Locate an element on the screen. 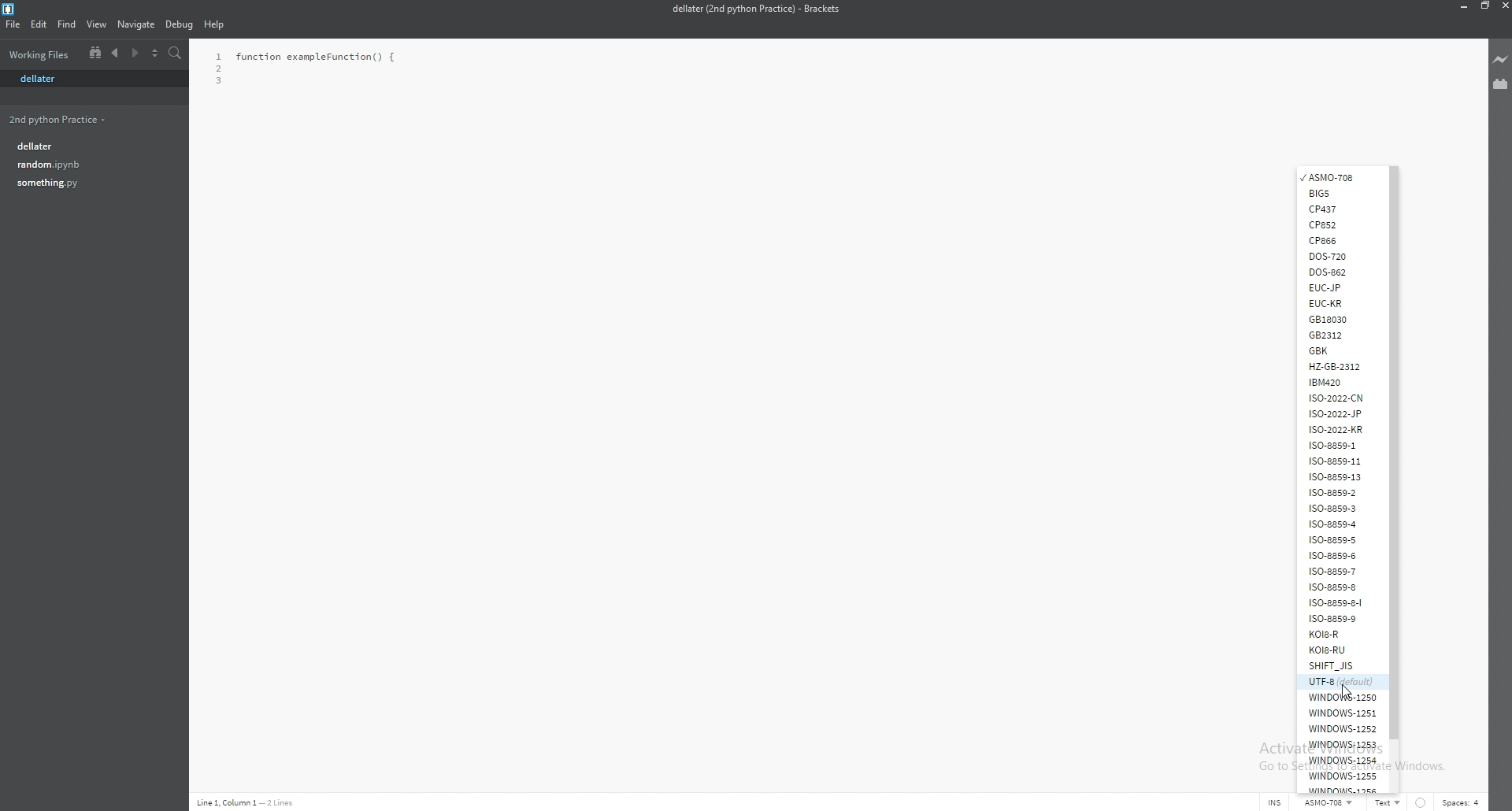 This screenshot has width=1512, height=811. previous is located at coordinates (113, 54).